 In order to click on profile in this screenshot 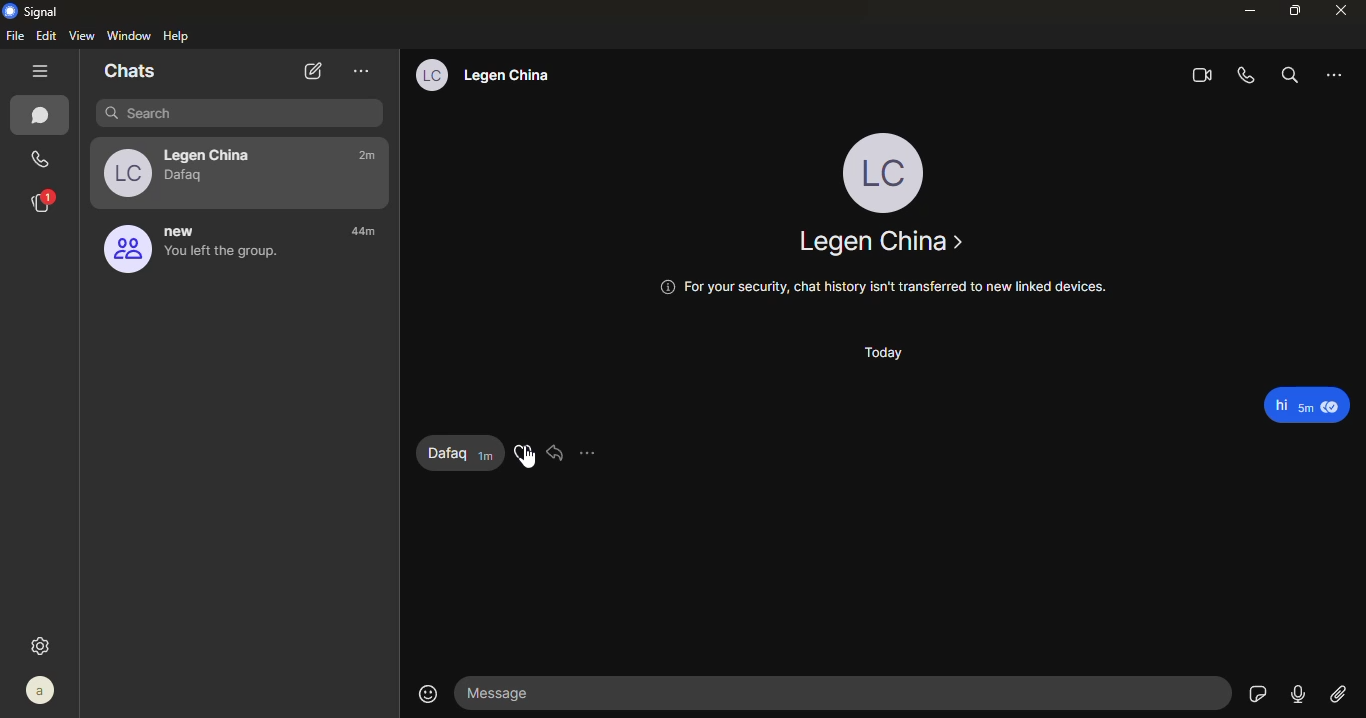, I will do `click(42, 690)`.